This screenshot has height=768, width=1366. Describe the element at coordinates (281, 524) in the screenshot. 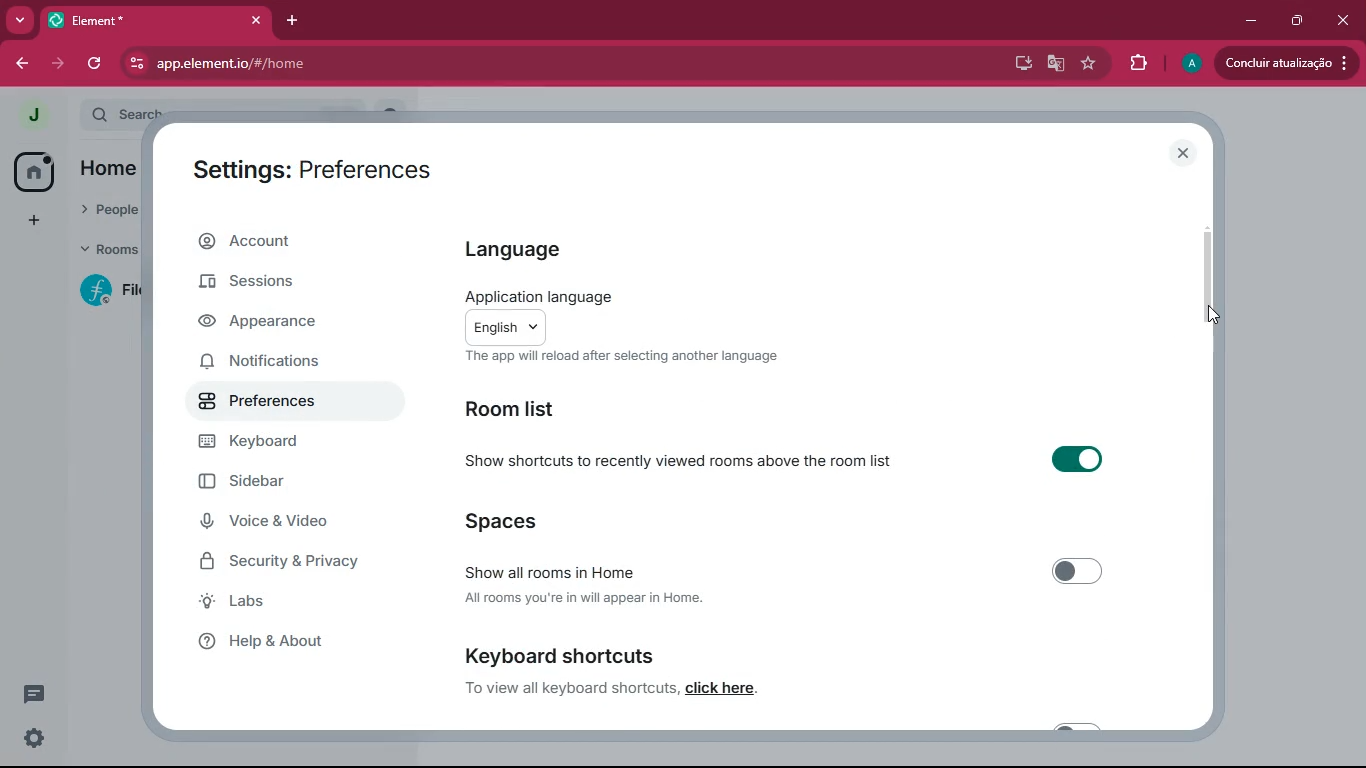

I see `voice & video` at that location.